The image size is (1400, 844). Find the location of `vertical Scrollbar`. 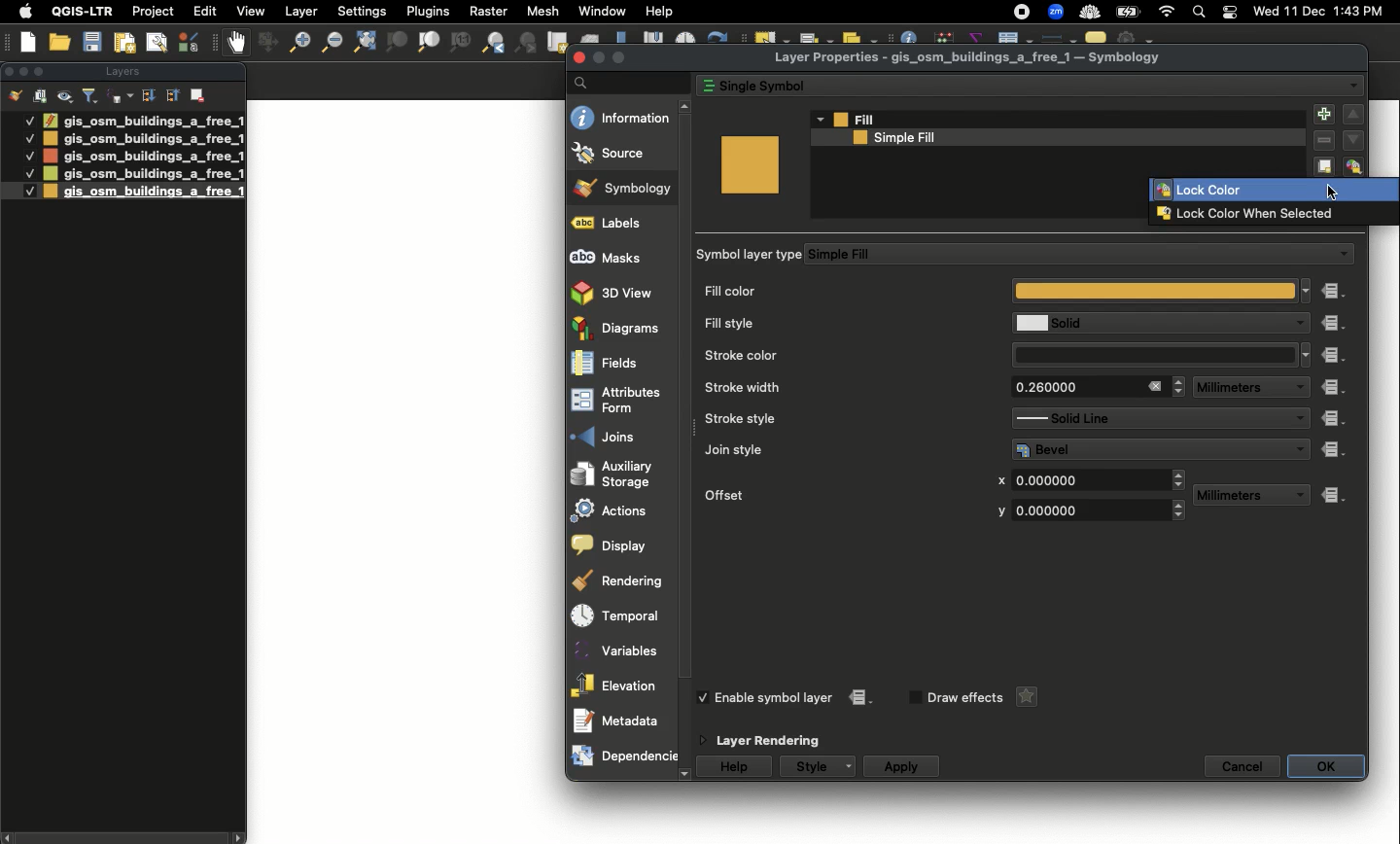

vertical Scrollbar is located at coordinates (689, 440).